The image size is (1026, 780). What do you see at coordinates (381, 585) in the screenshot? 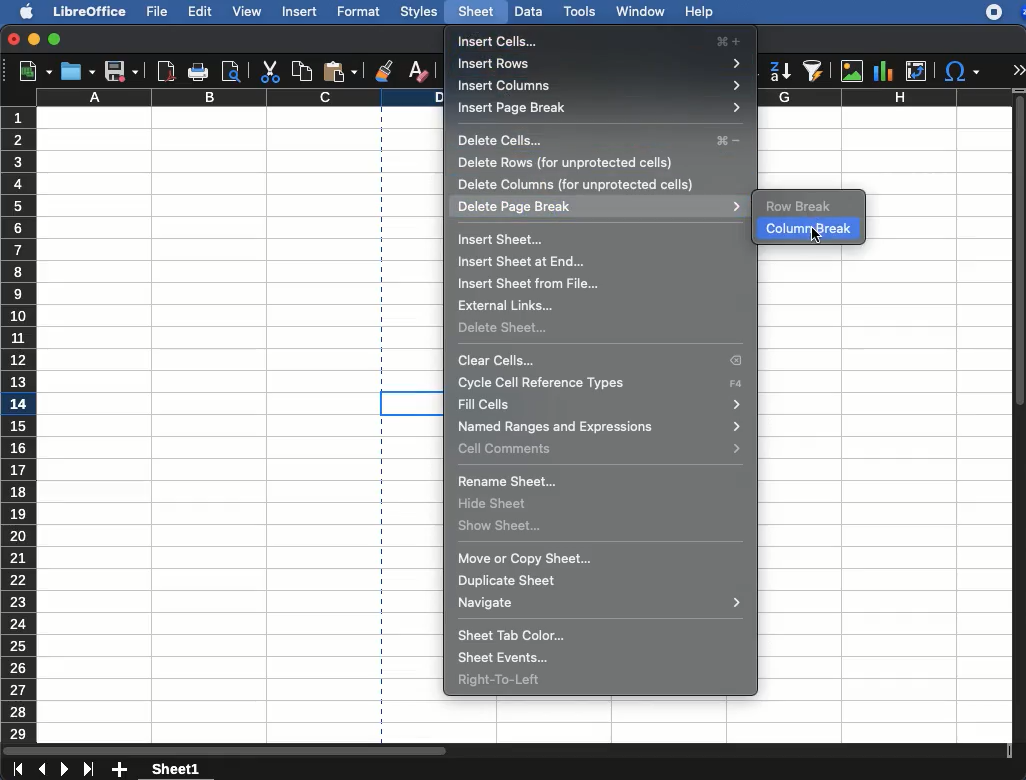
I see `page break` at bounding box center [381, 585].